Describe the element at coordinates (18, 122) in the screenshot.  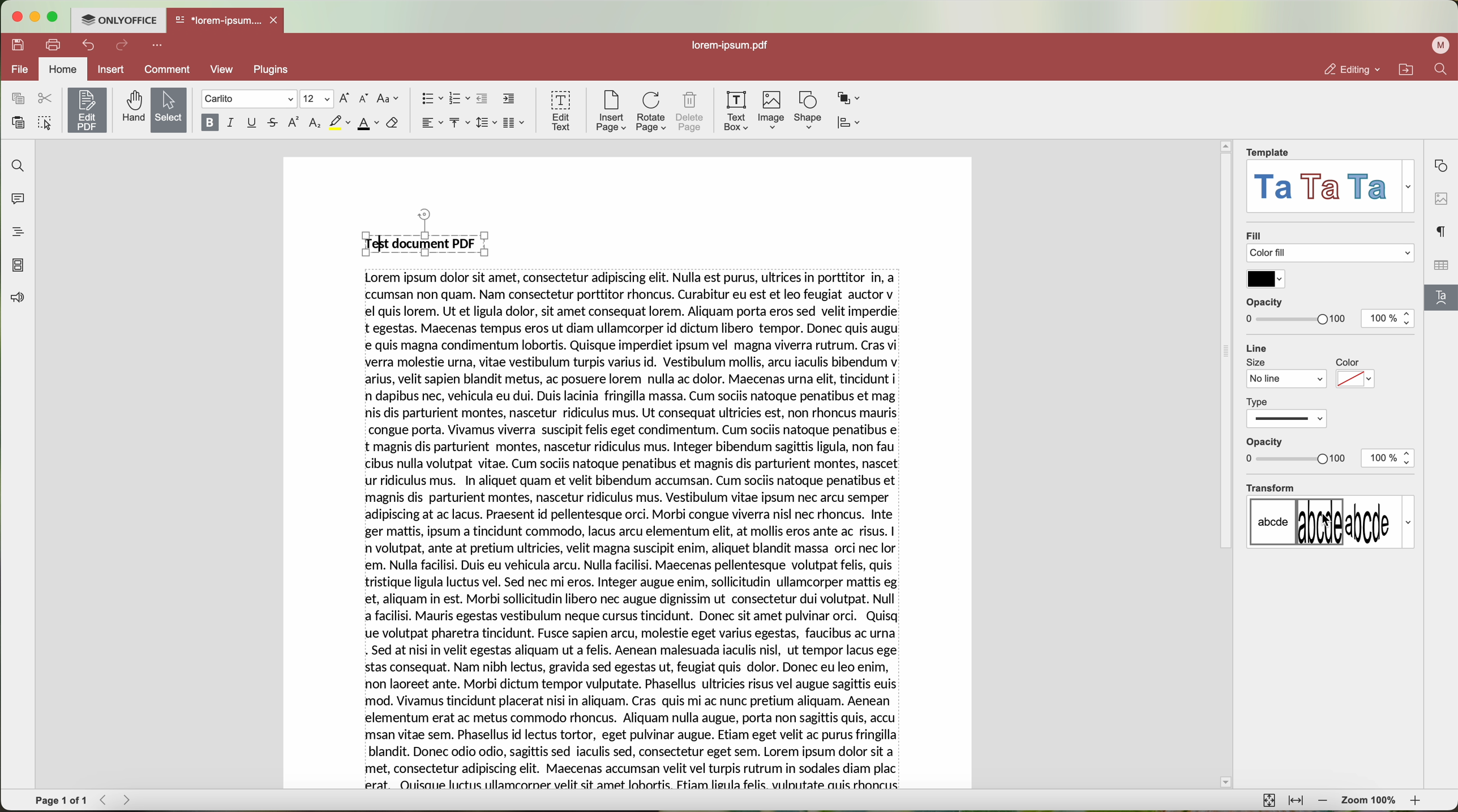
I see `paste` at that location.